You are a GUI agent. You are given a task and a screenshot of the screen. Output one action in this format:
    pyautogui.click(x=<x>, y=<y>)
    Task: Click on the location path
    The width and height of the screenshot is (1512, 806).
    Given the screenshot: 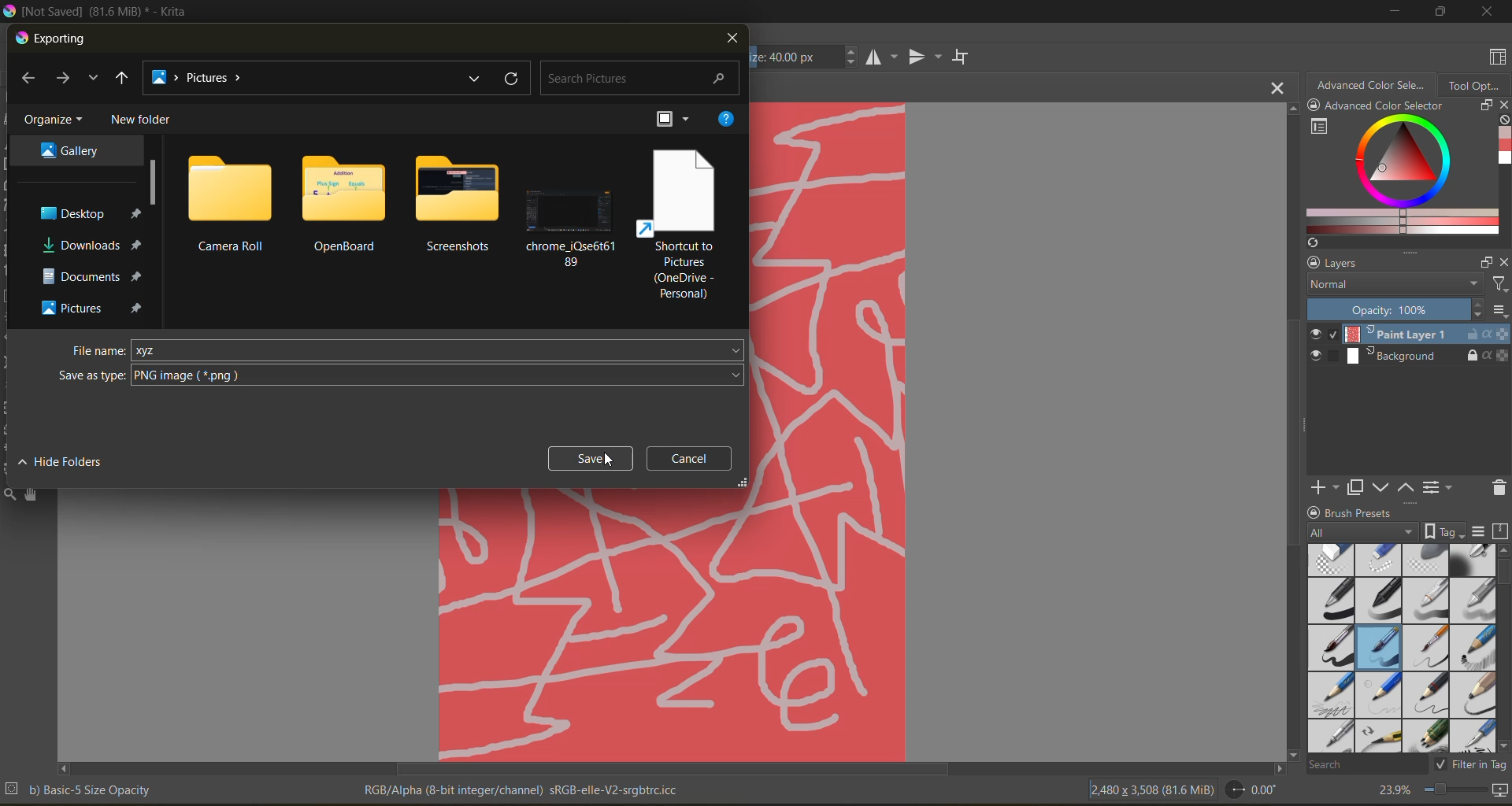 What is the action you would take?
    pyautogui.click(x=203, y=79)
    